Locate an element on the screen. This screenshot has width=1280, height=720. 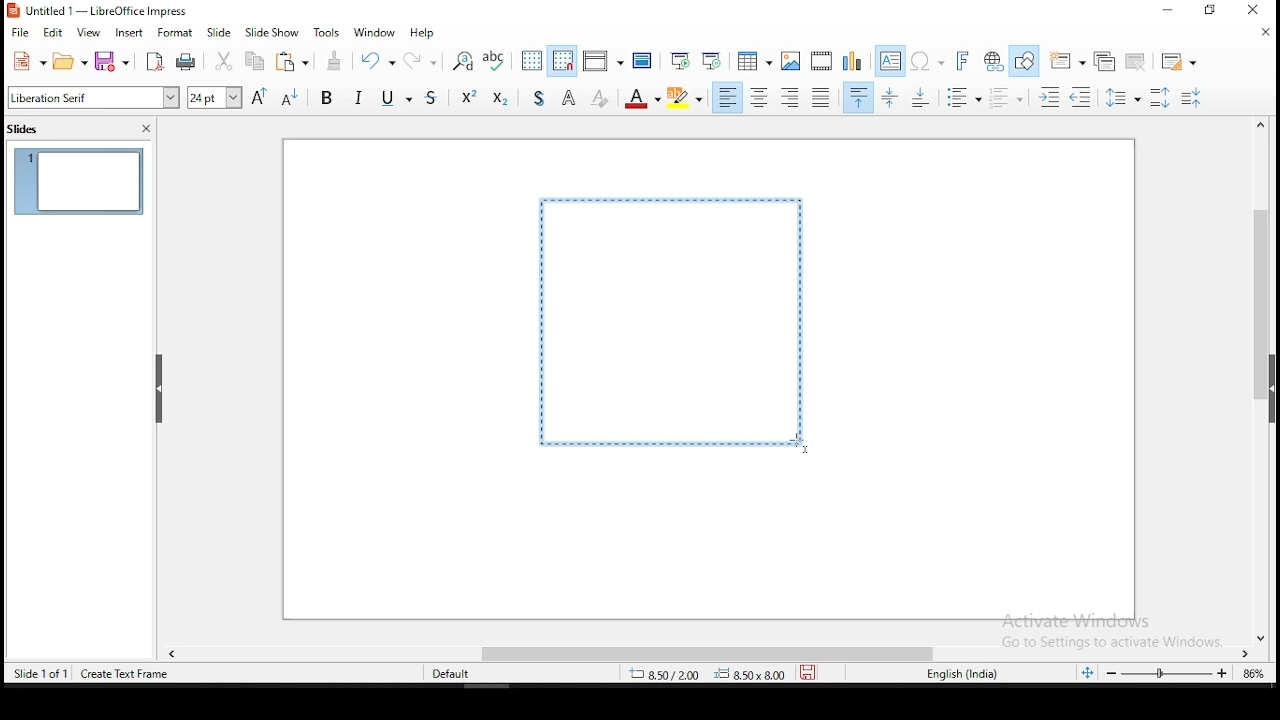
open is located at coordinates (69, 63).